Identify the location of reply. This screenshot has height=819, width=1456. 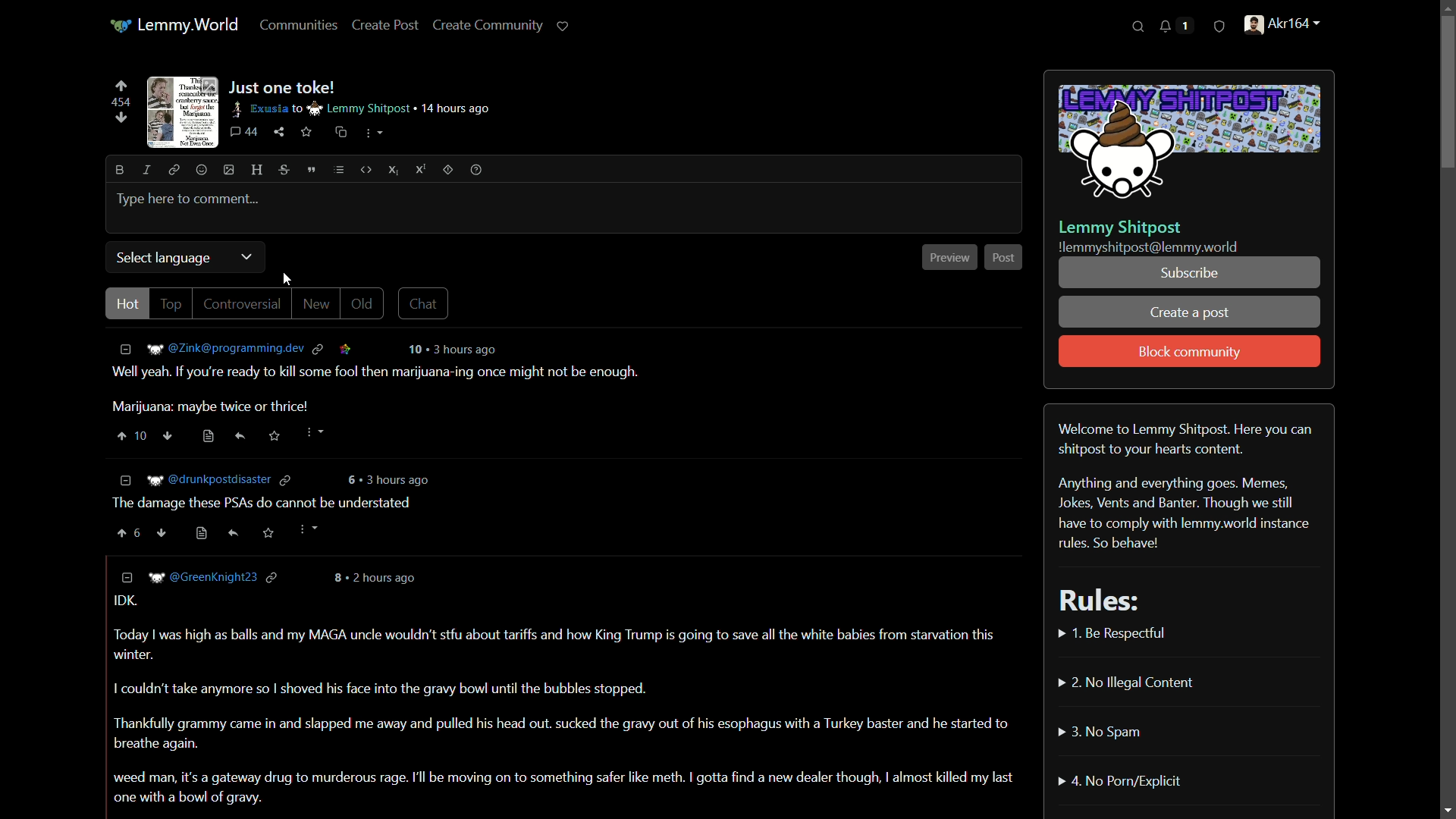
(231, 538).